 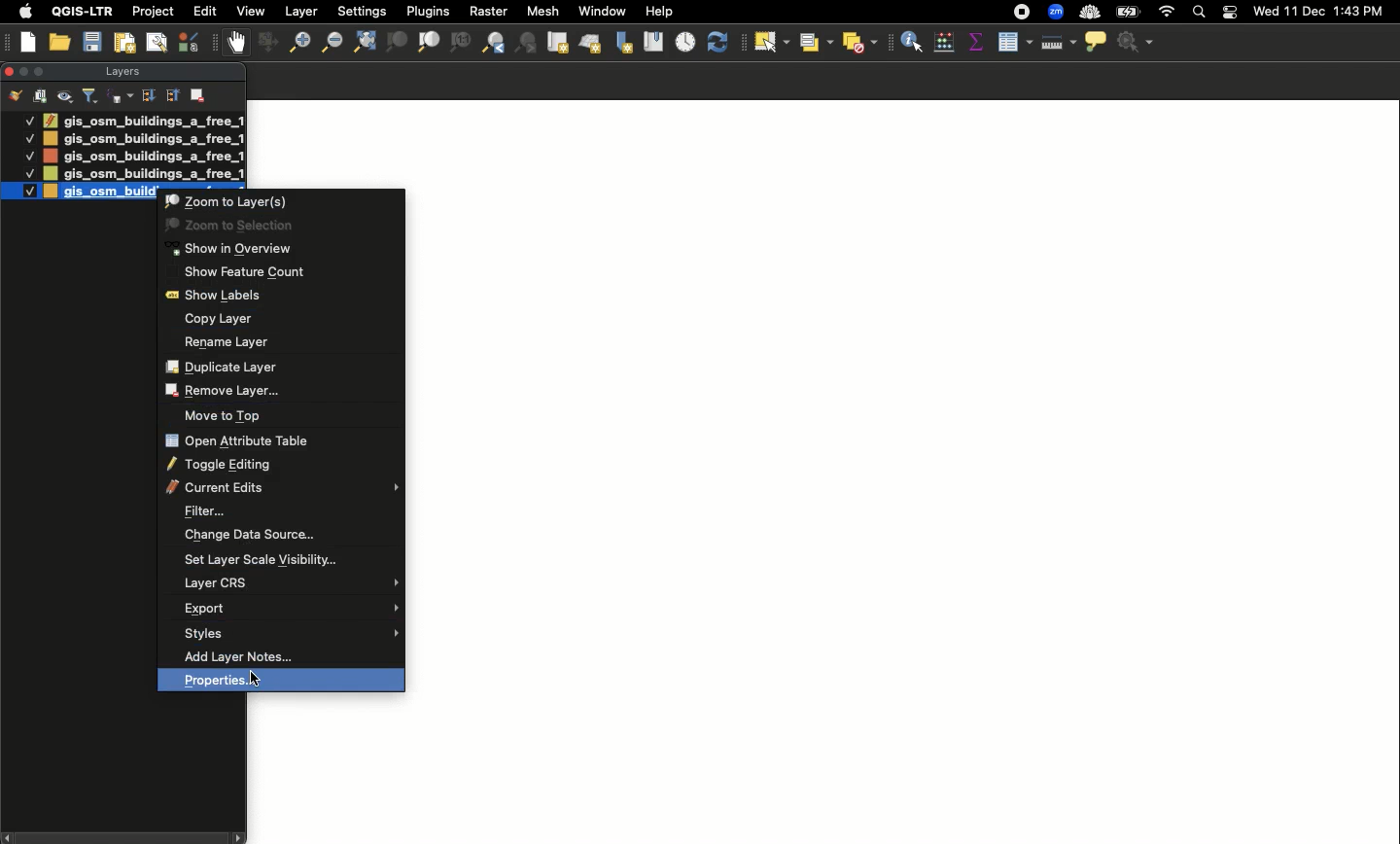 What do you see at coordinates (29, 42) in the screenshot?
I see `New` at bounding box center [29, 42].